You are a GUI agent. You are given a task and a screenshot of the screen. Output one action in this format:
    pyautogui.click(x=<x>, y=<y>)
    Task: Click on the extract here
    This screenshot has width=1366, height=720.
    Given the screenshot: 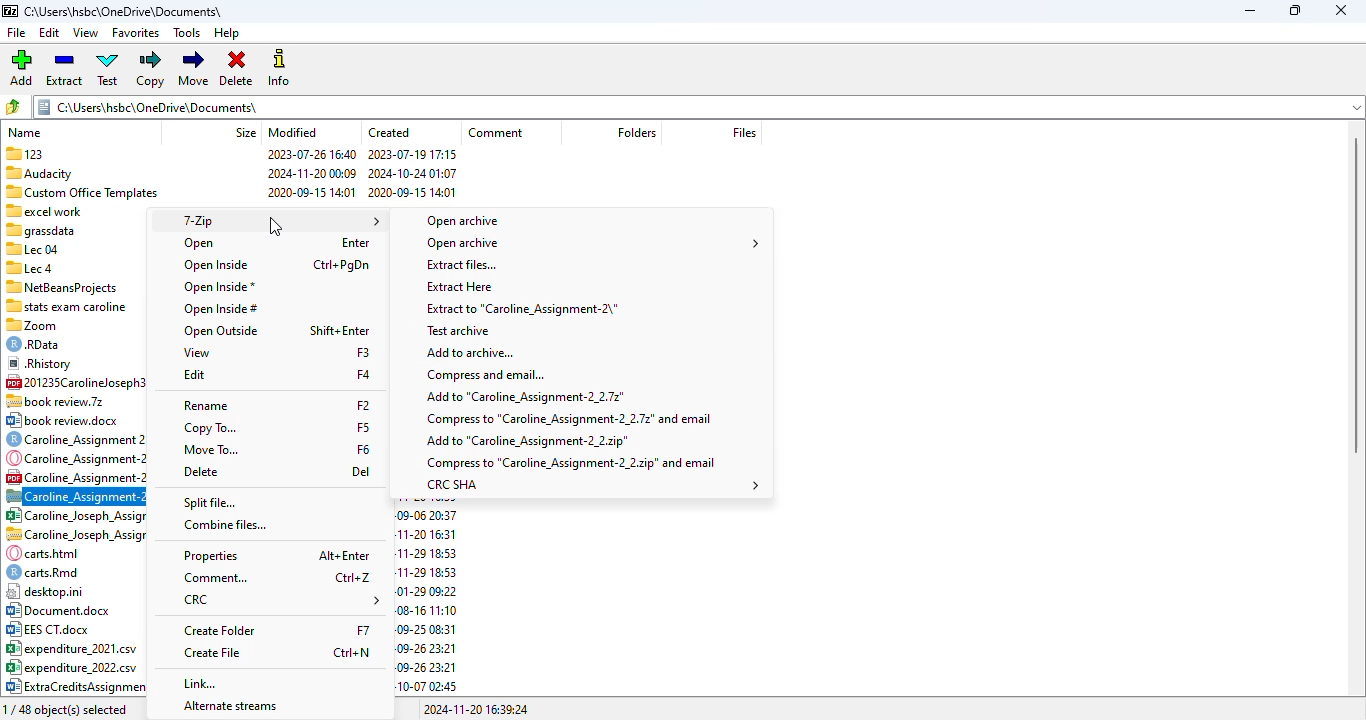 What is the action you would take?
    pyautogui.click(x=432, y=286)
    